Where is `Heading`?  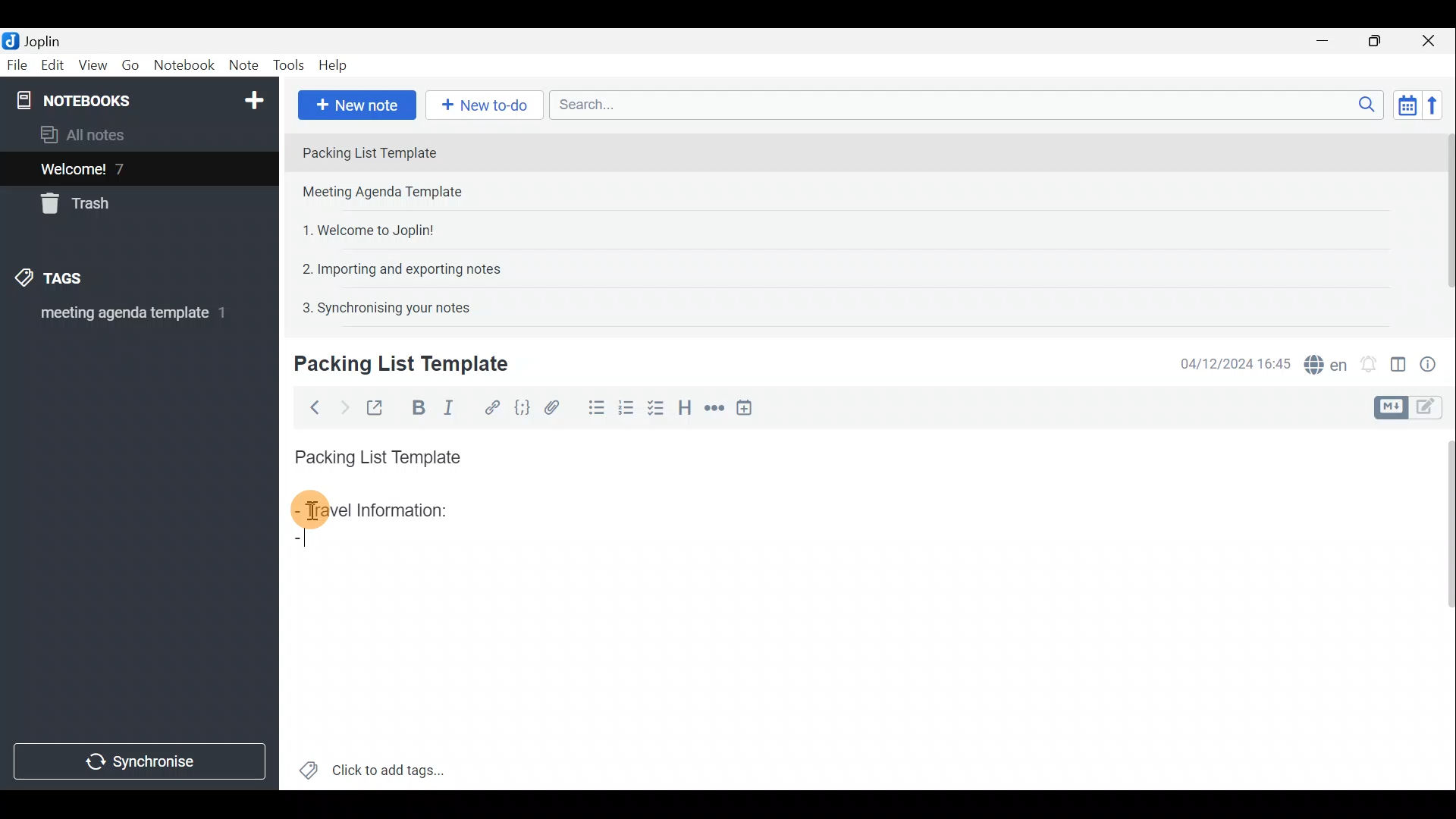 Heading is located at coordinates (686, 406).